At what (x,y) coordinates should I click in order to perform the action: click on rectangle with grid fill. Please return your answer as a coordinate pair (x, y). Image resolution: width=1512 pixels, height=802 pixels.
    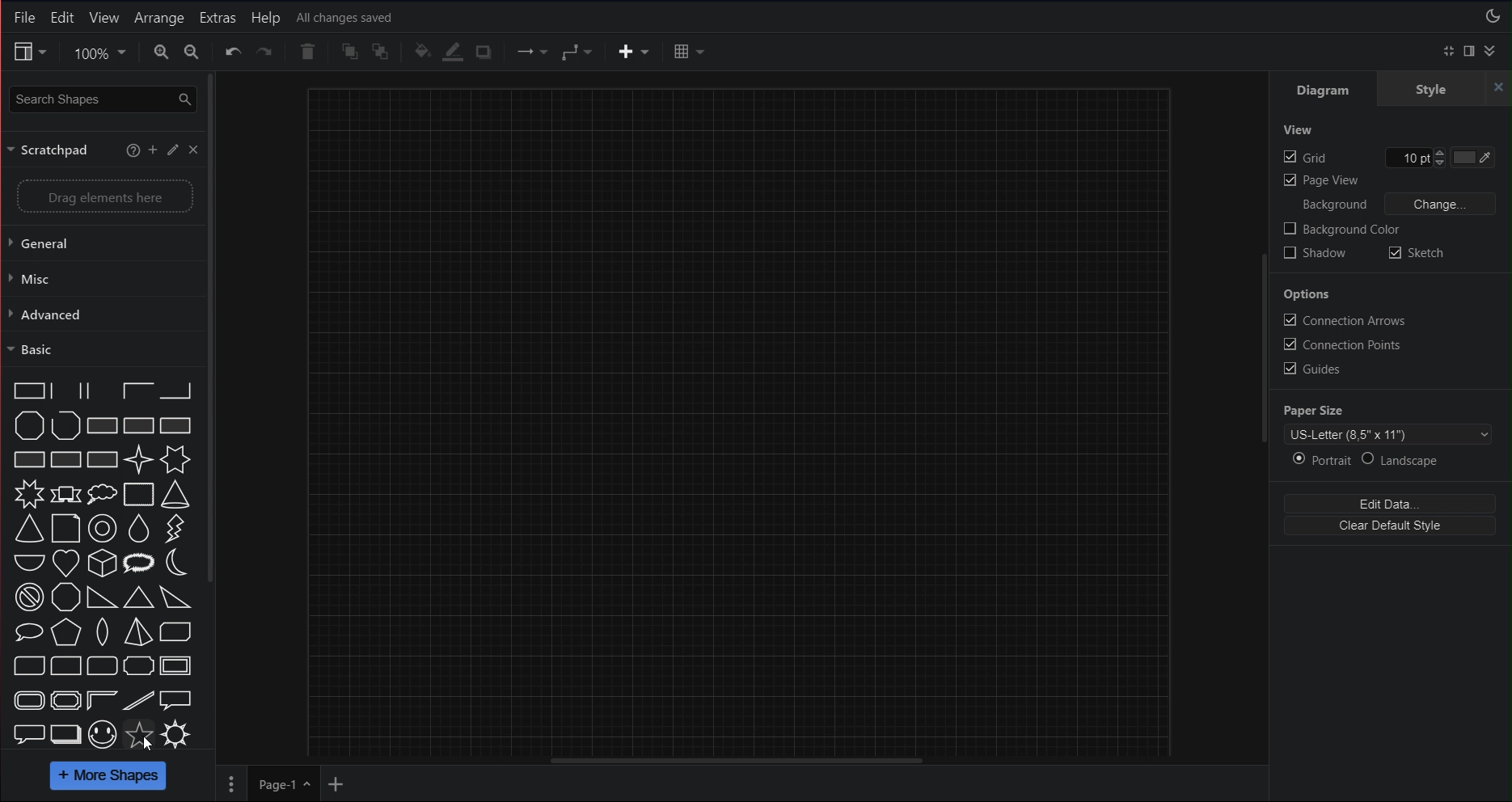
    Looking at the image, I should click on (66, 459).